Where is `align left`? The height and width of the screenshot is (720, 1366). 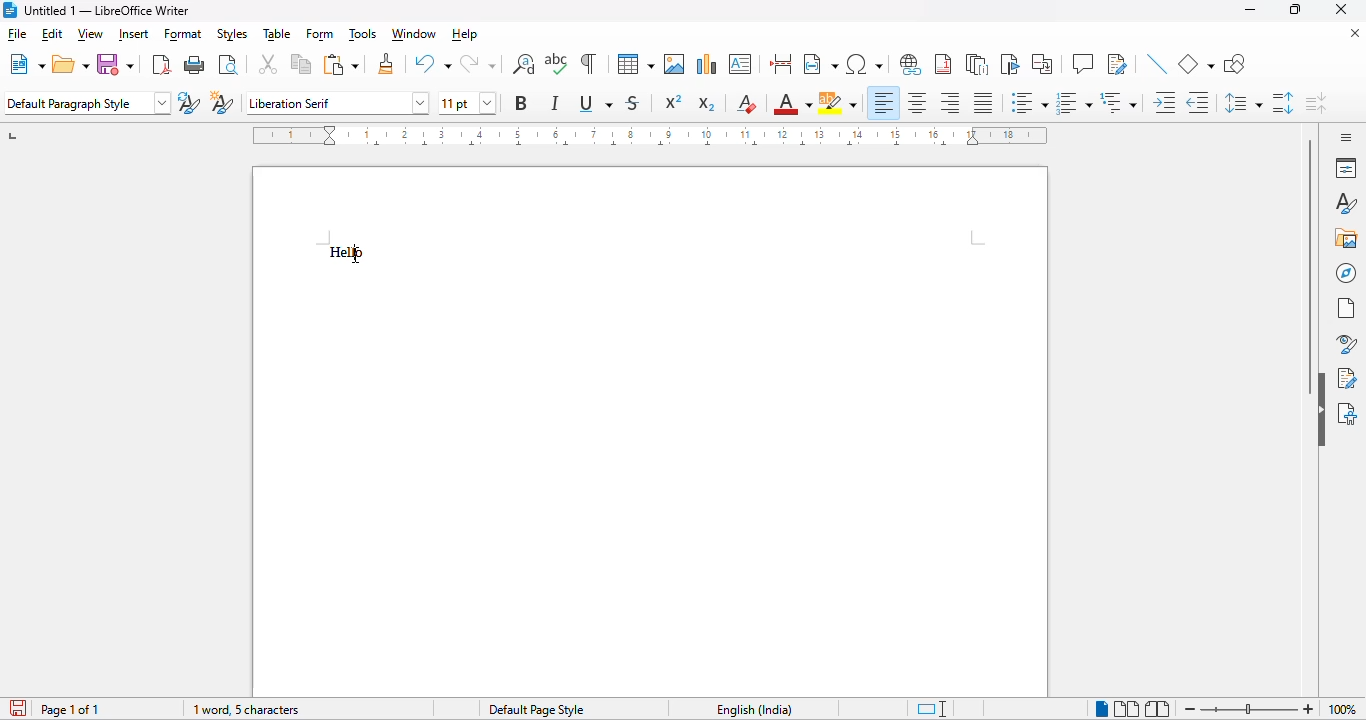
align left is located at coordinates (884, 103).